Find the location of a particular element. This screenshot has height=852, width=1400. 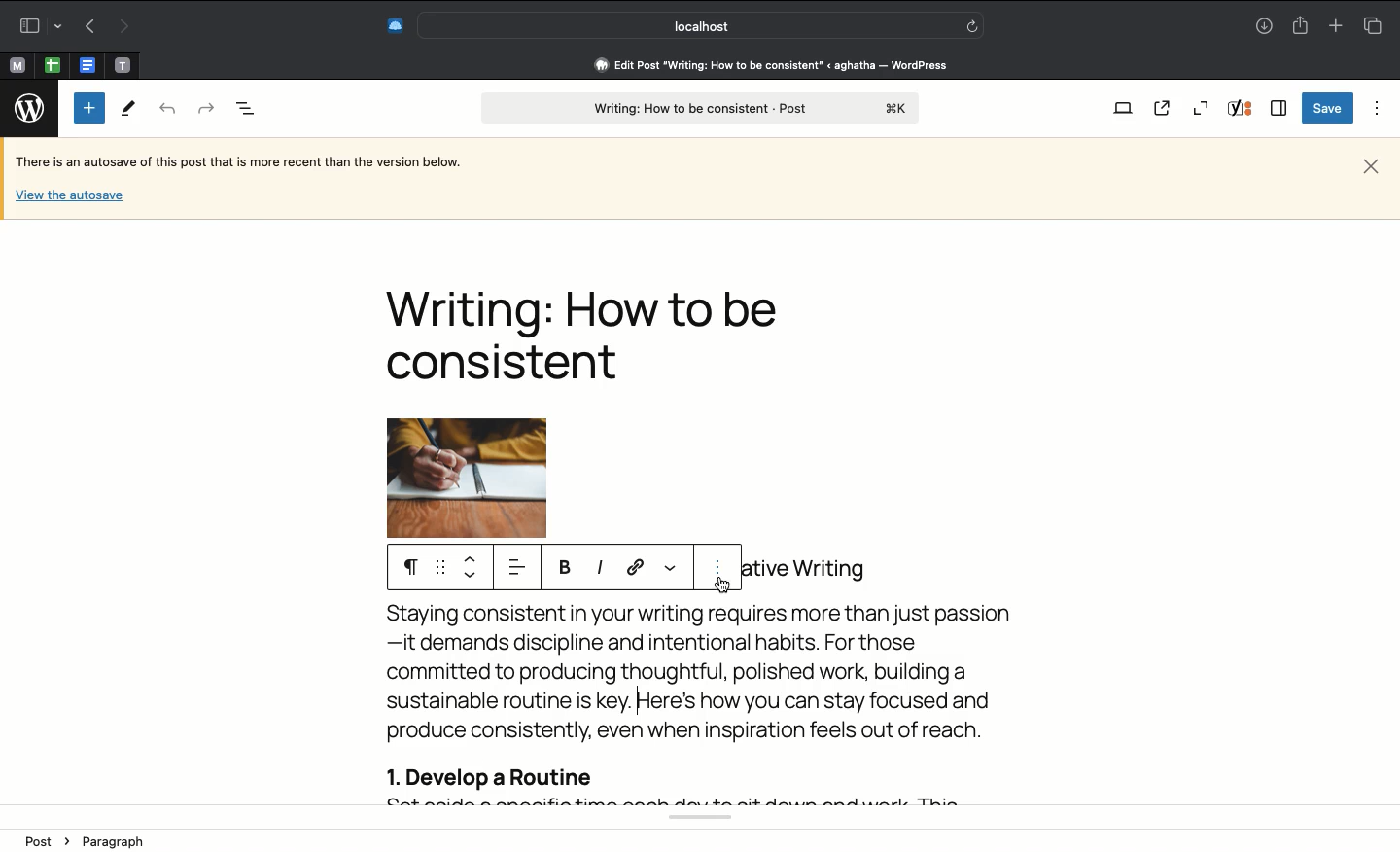

Redo is located at coordinates (205, 106).